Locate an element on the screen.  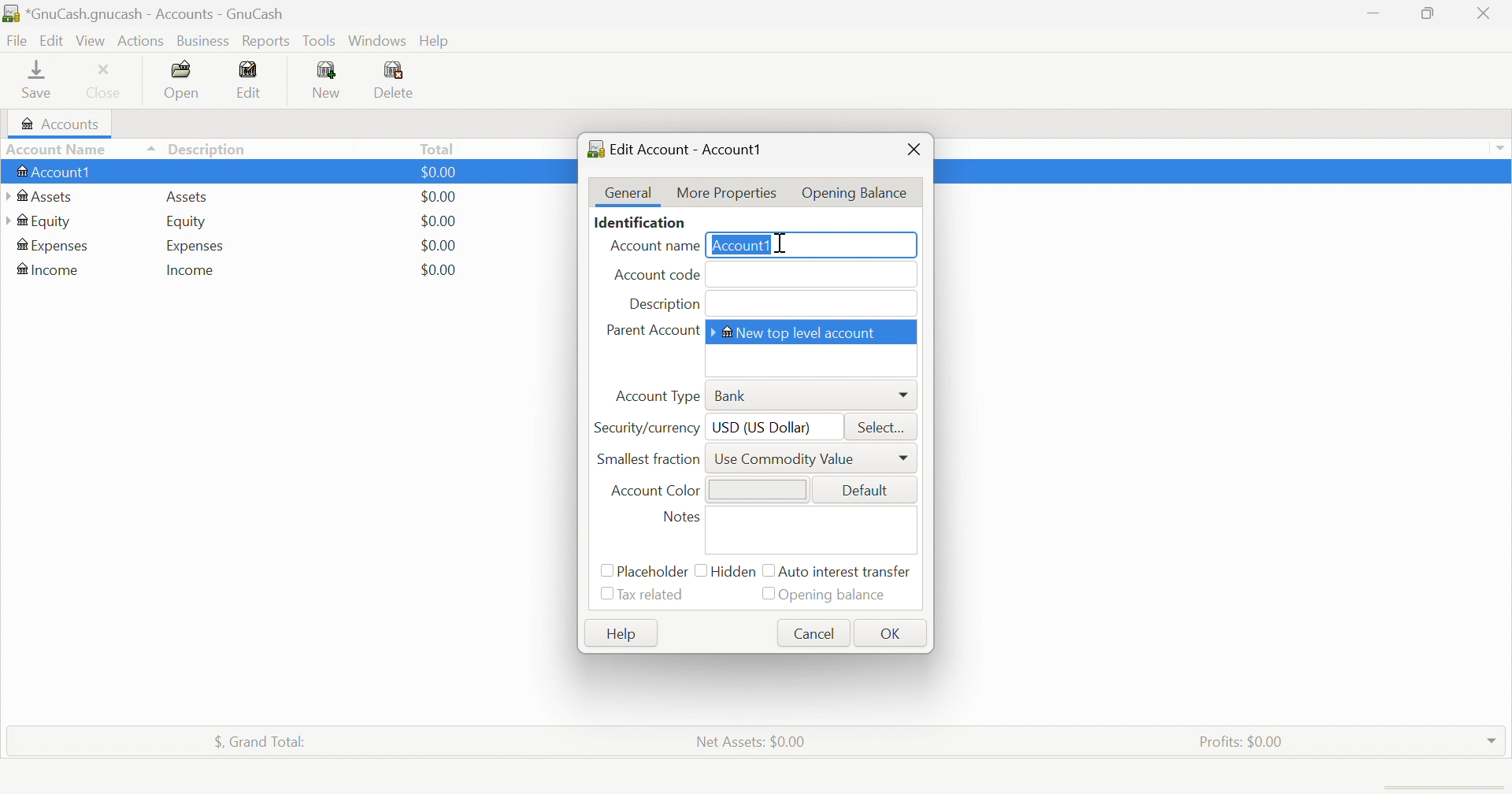
Close is located at coordinates (1481, 13).